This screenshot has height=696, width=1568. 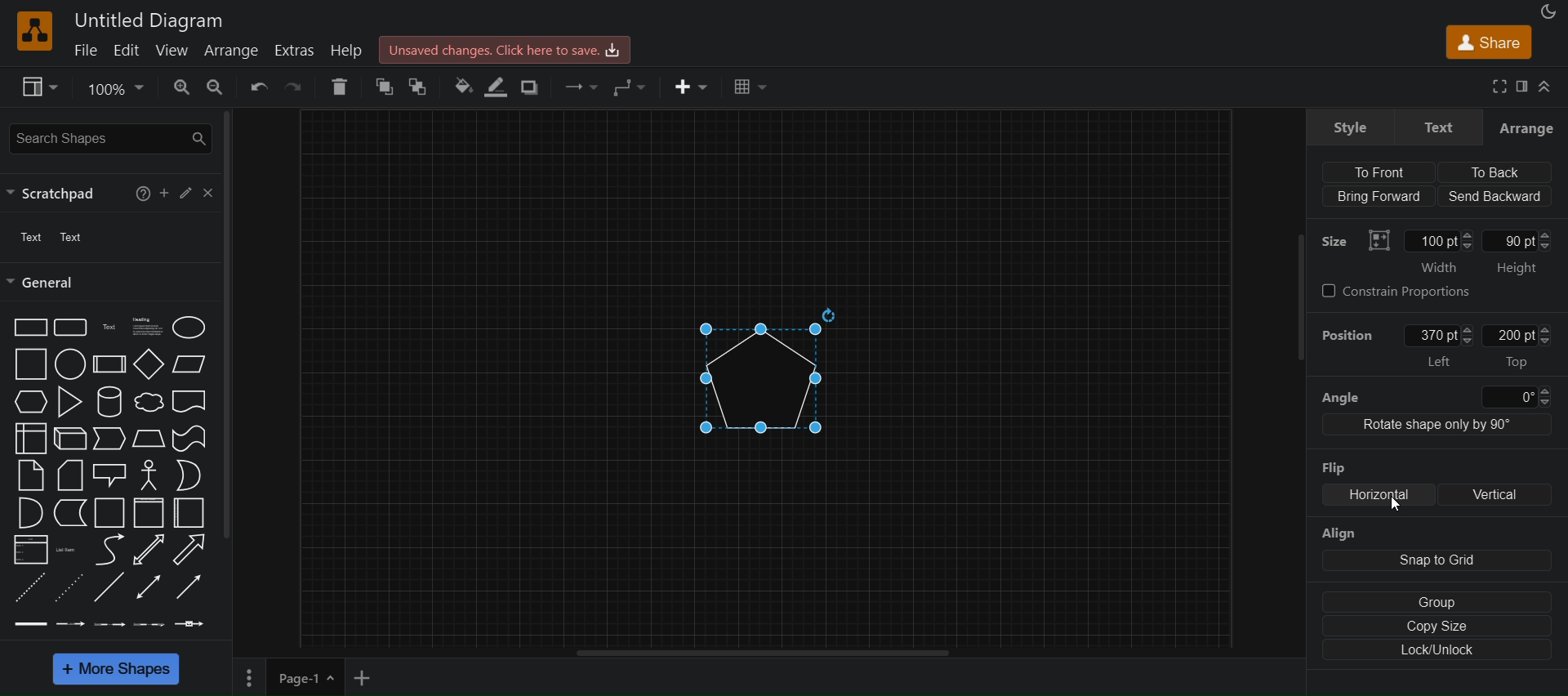 I want to click on To back, so click(x=1493, y=172).